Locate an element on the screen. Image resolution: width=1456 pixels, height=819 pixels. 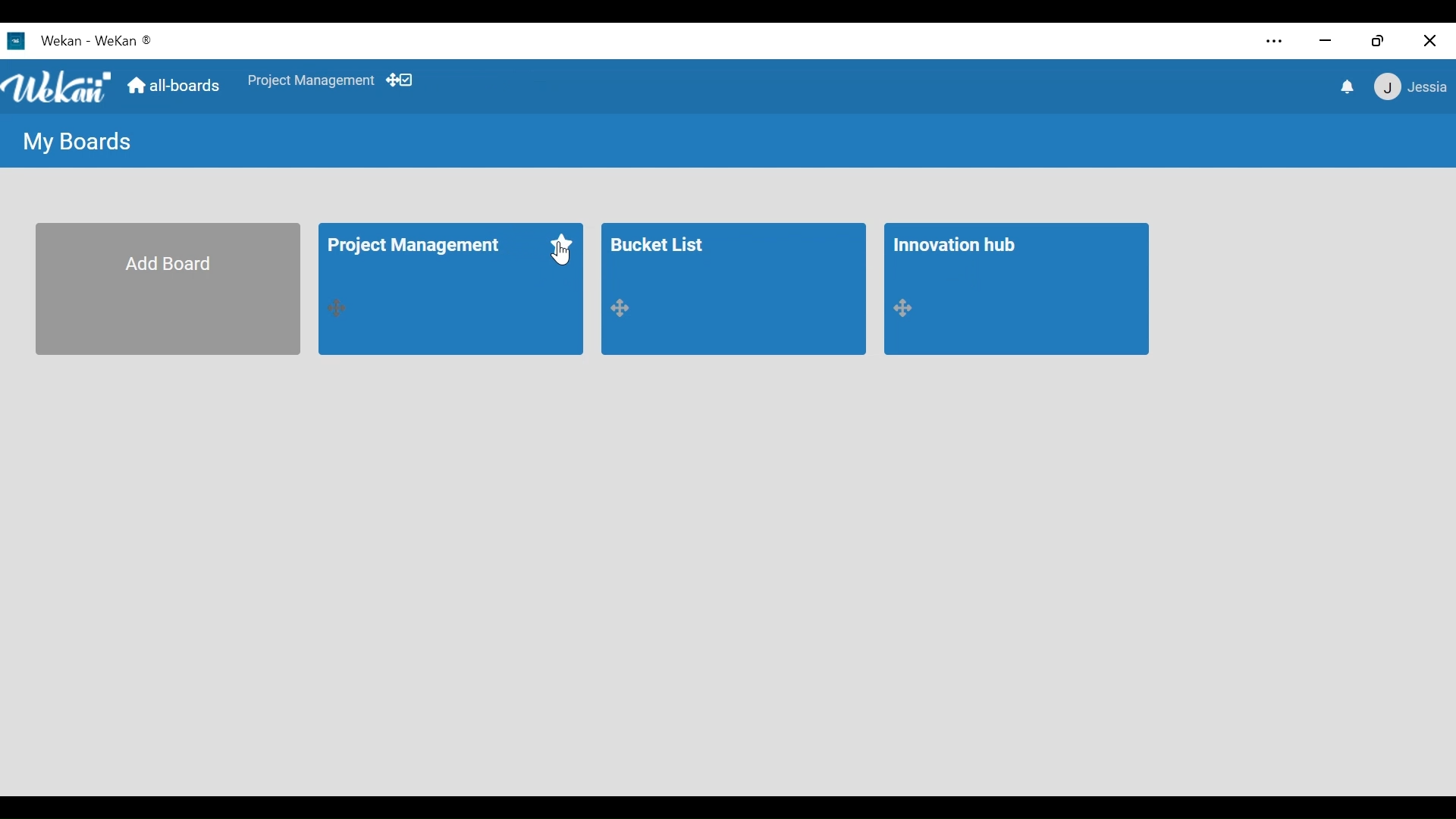
Desktop drag handles is located at coordinates (908, 309).